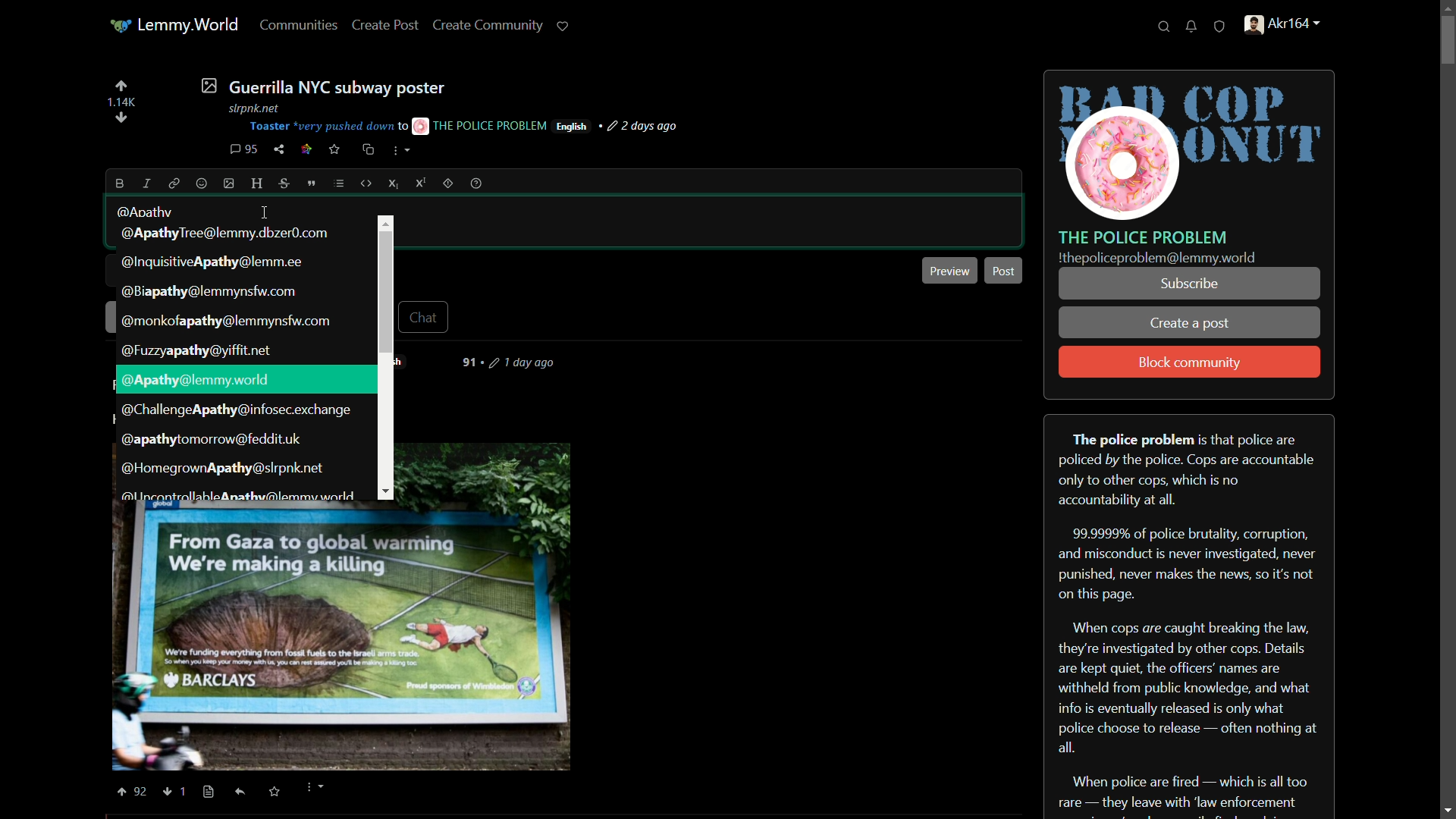 The height and width of the screenshot is (819, 1456). I want to click on spoiler, so click(447, 183).